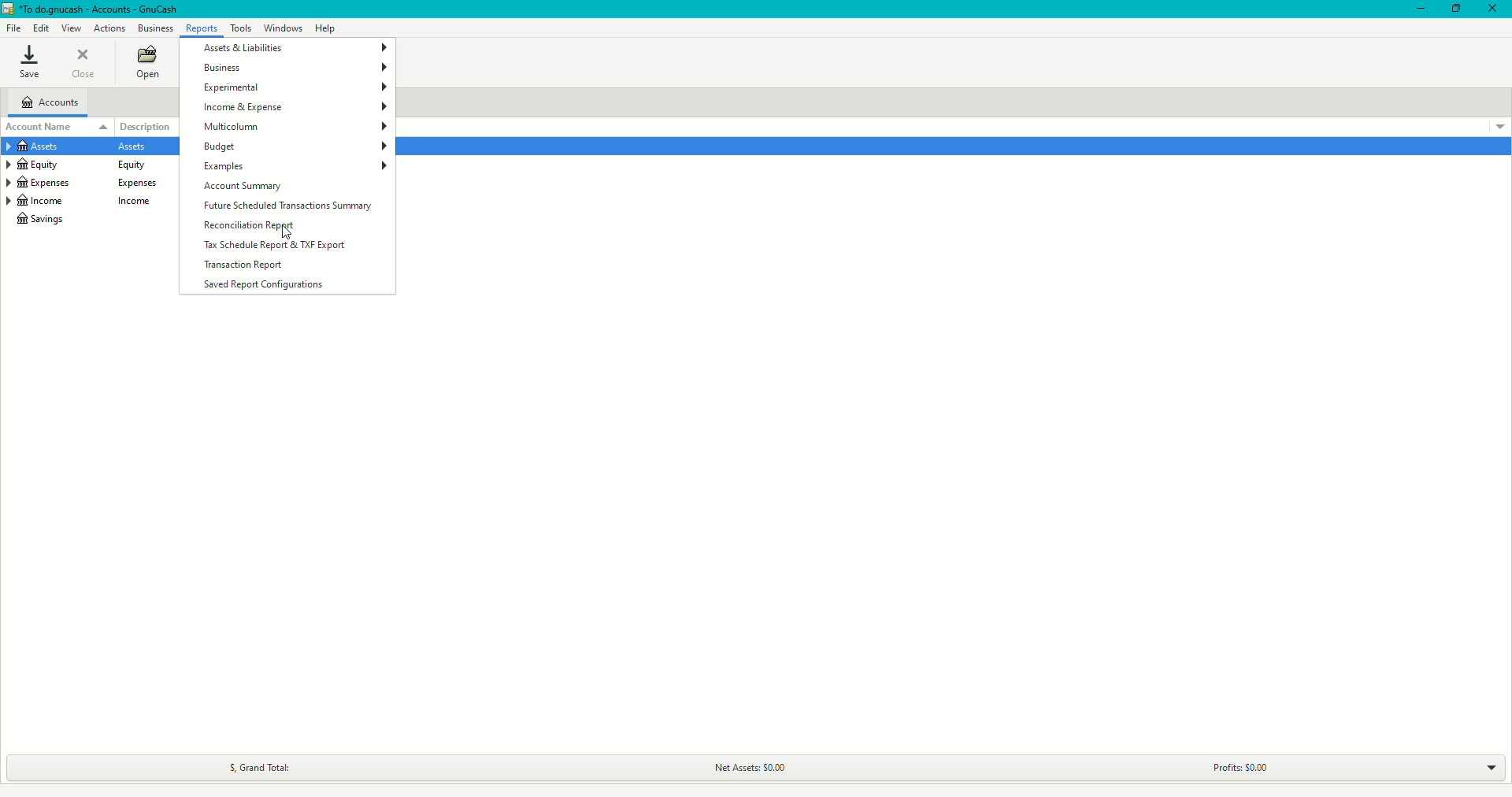 Image resolution: width=1512 pixels, height=797 pixels. Describe the element at coordinates (272, 245) in the screenshot. I see `Tax Schedule Report & TXF` at that location.